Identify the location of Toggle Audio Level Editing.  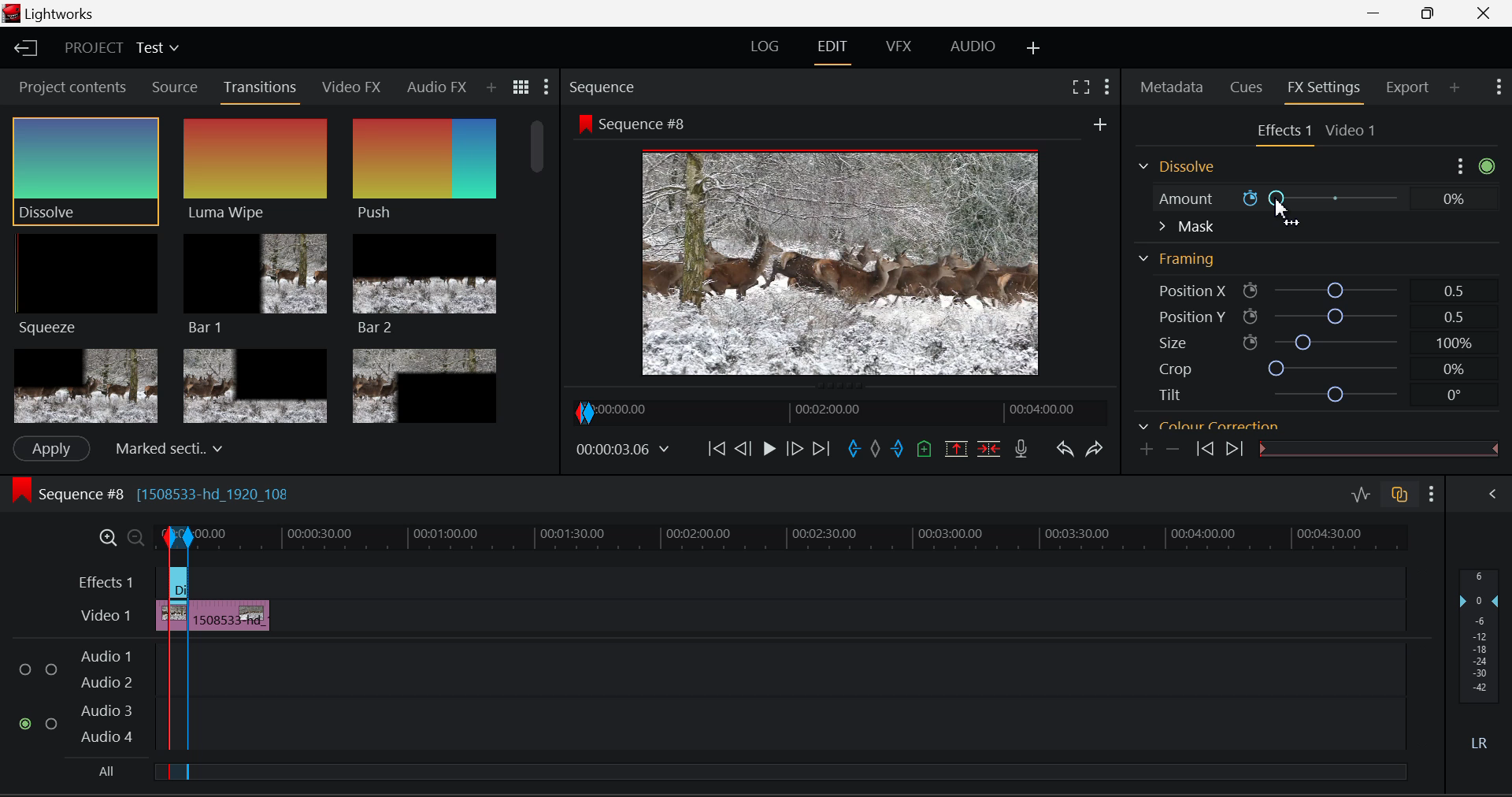
(1362, 496).